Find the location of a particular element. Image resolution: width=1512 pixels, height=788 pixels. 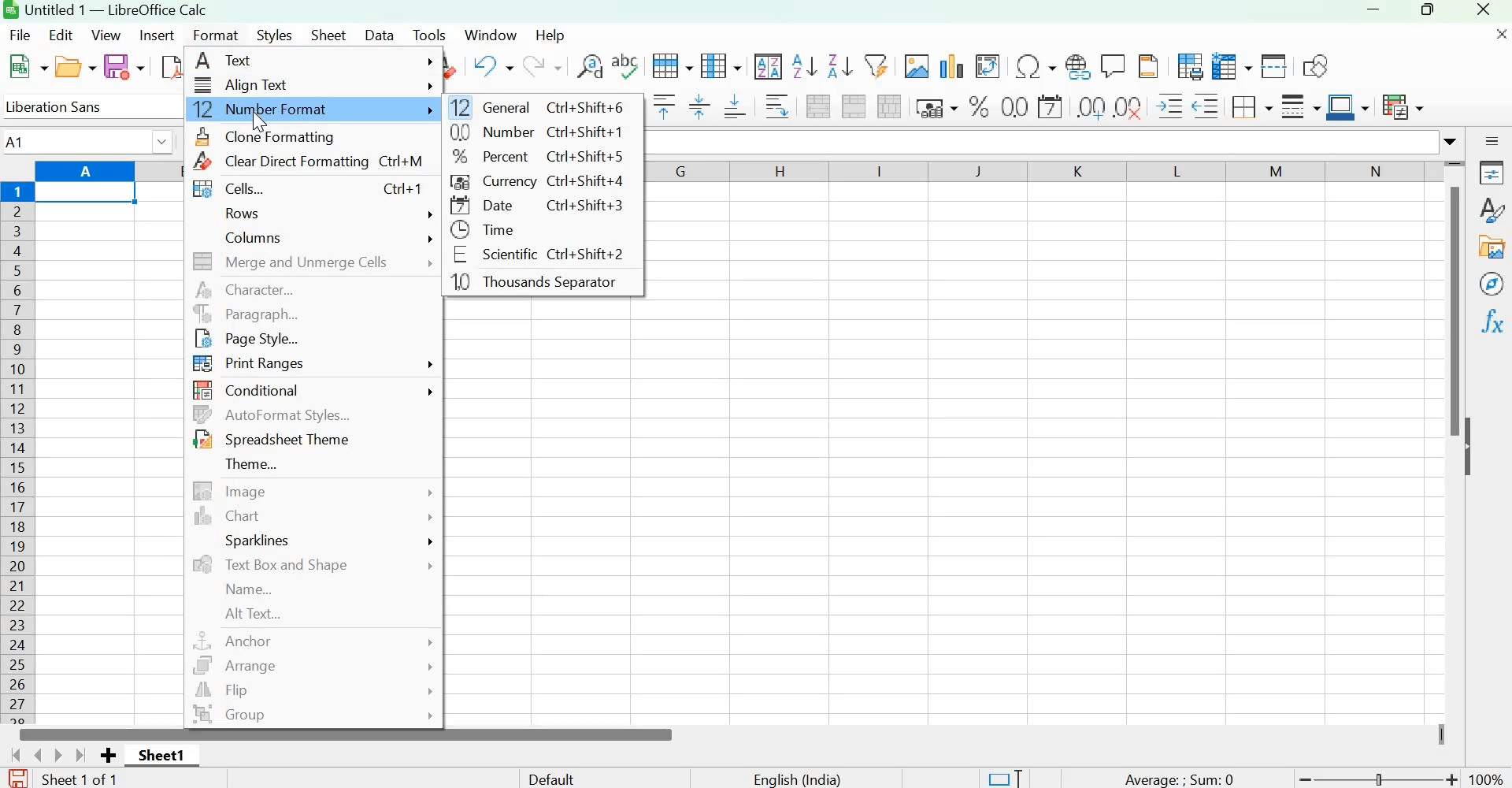

Zoom in is located at coordinates (1454, 779).